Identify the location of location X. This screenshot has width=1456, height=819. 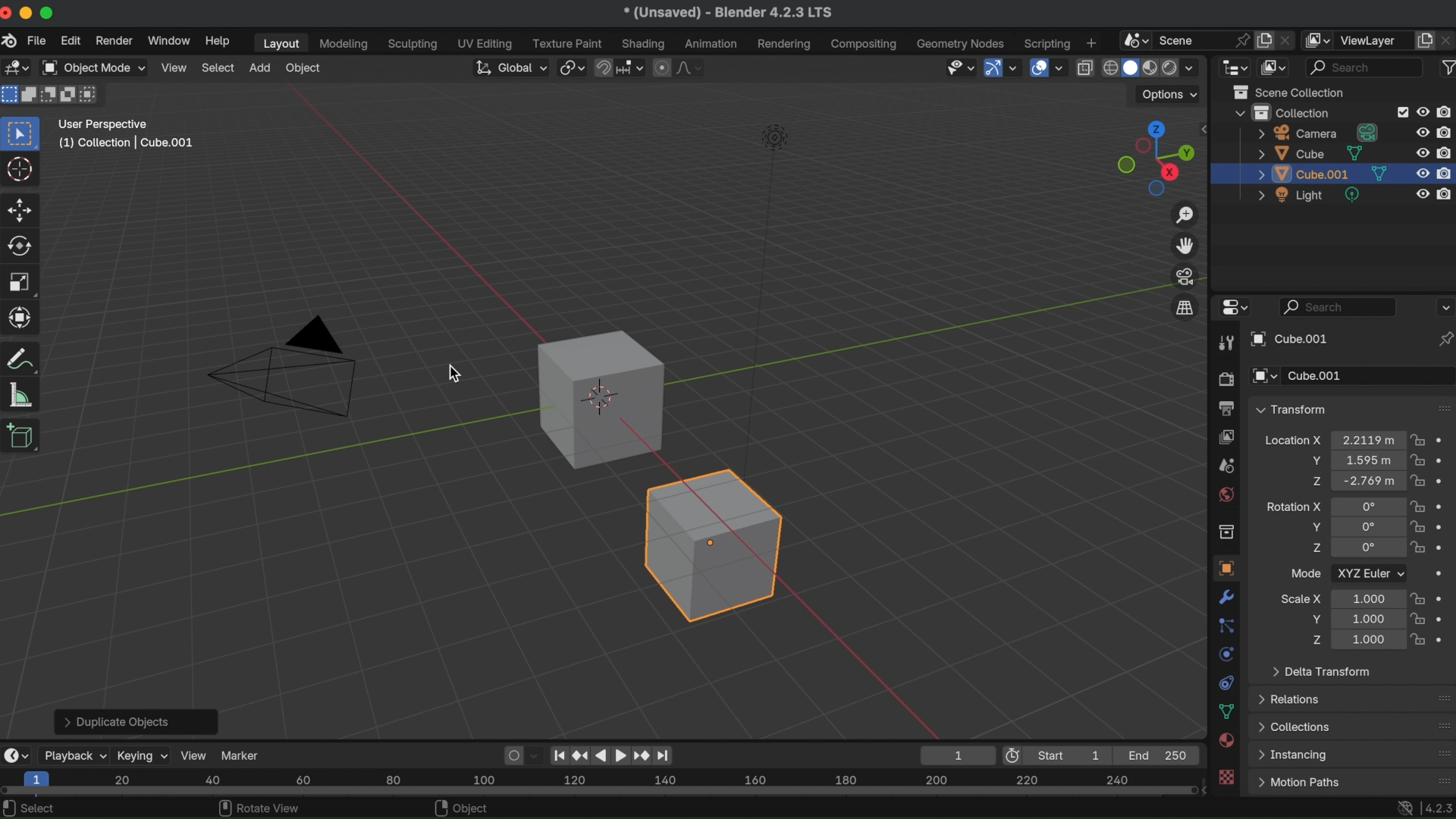
(1292, 442).